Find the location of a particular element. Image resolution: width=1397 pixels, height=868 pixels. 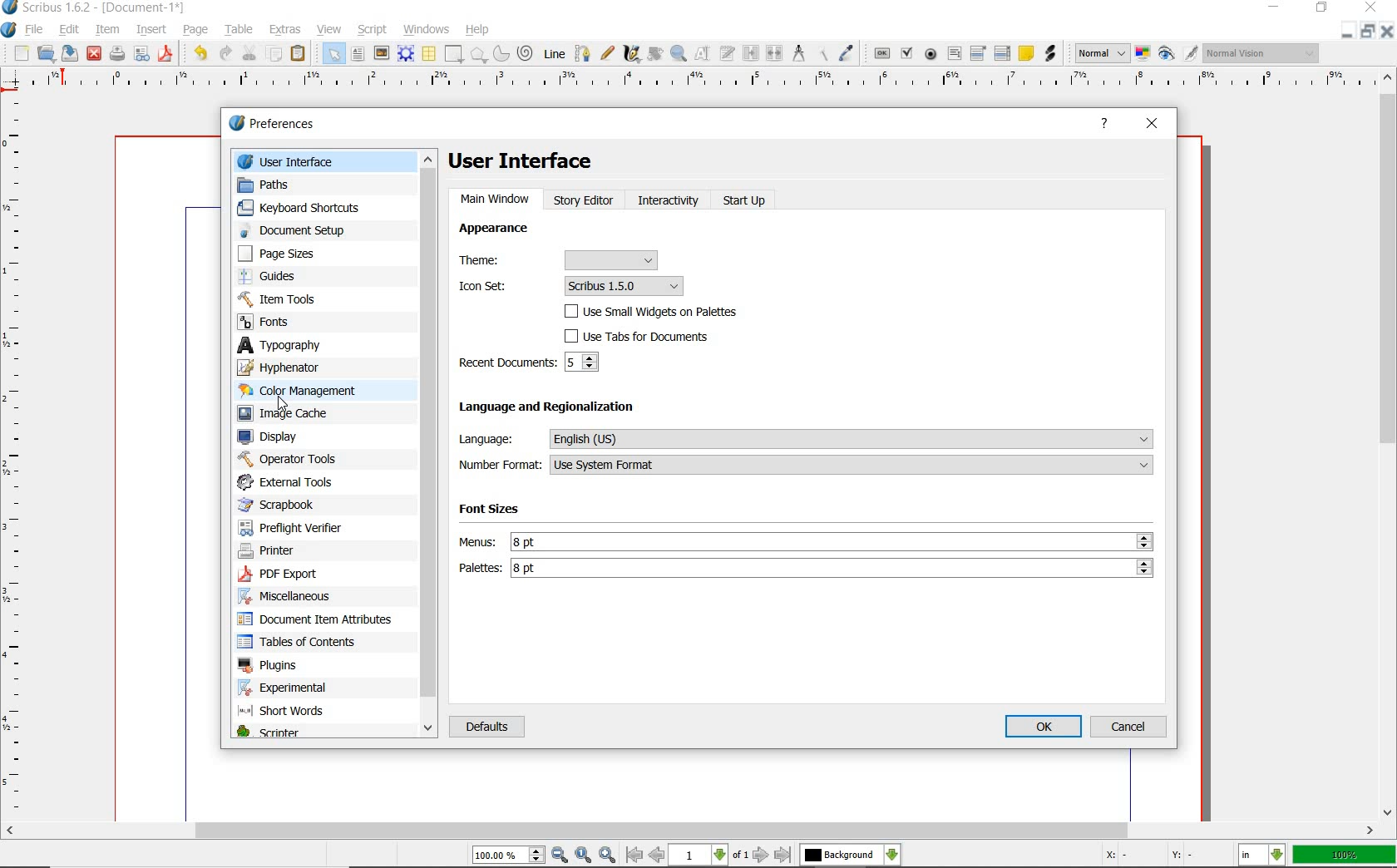

paths is located at coordinates (294, 185).